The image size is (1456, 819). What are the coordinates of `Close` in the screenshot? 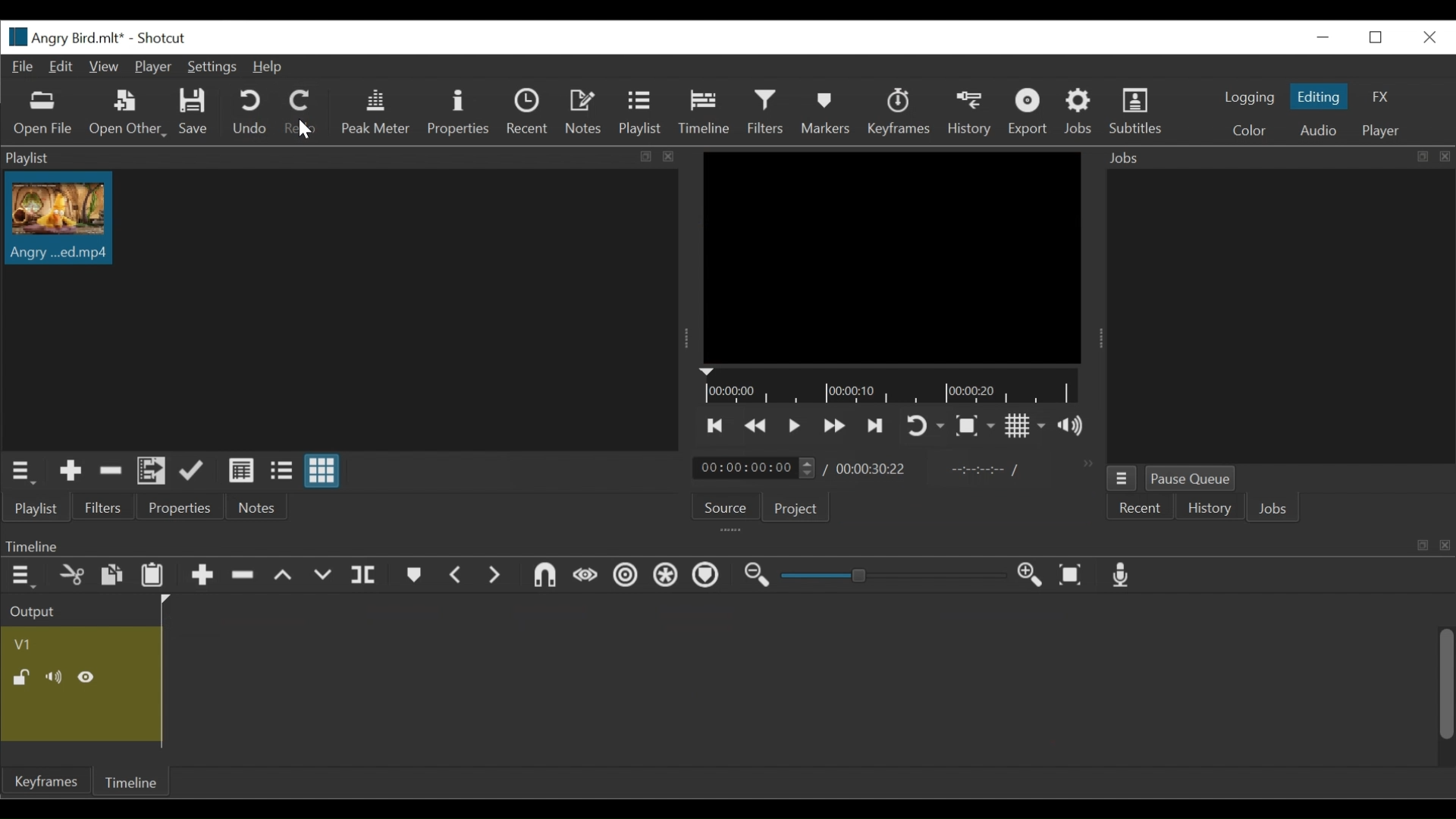 It's located at (1428, 37).